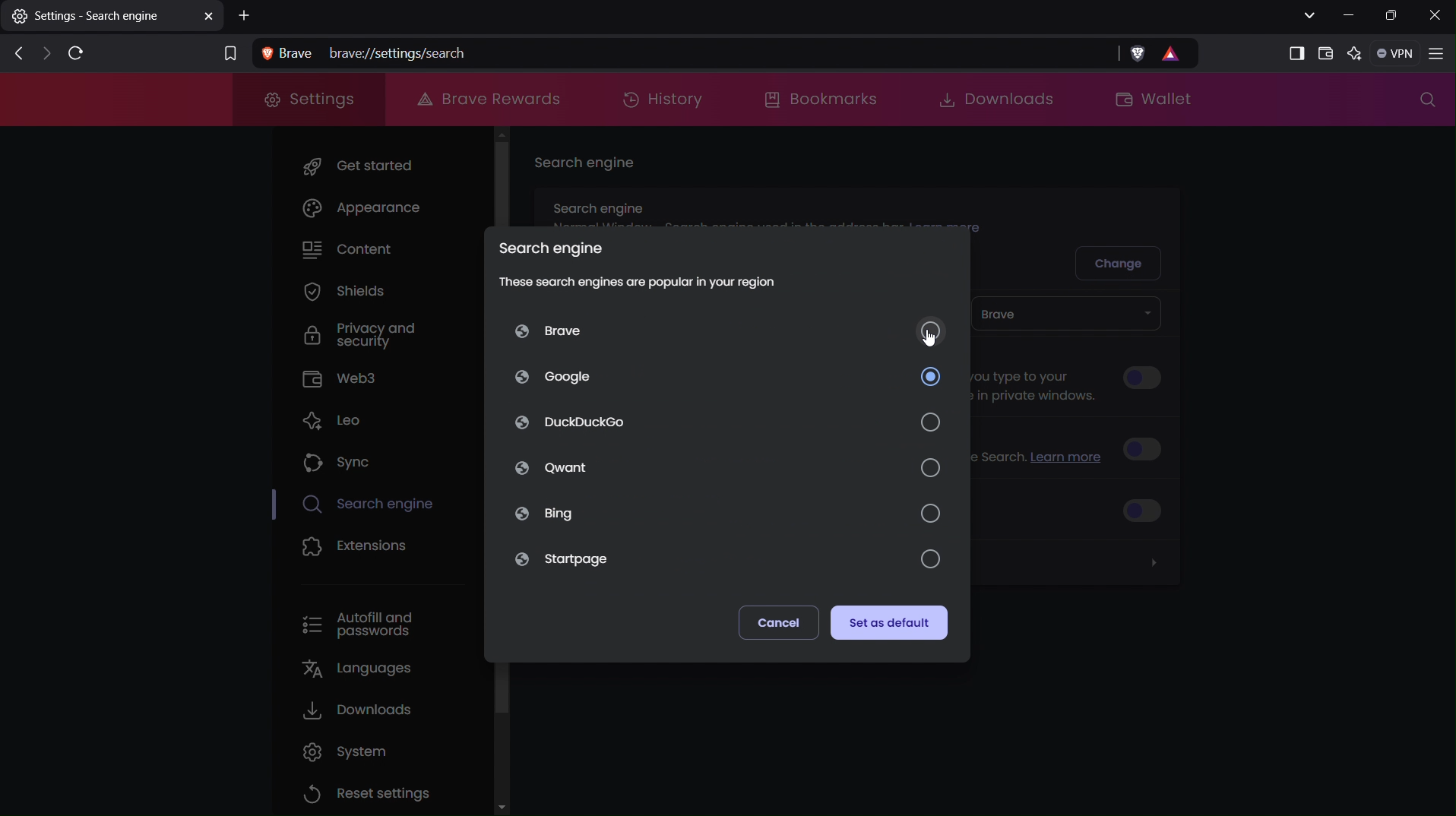  I want to click on Refresh, so click(74, 54).